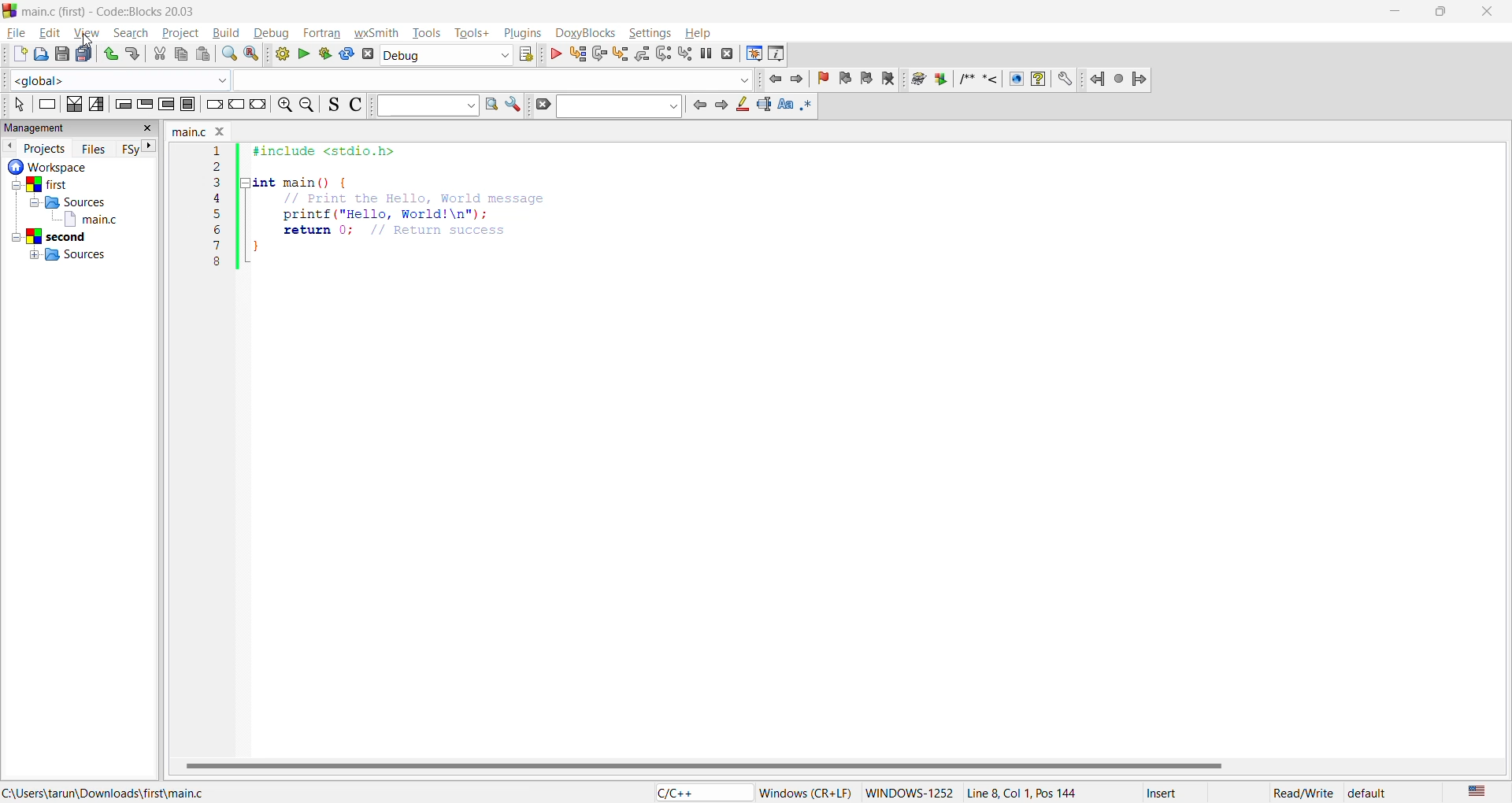 The image size is (1512, 803). Describe the element at coordinates (132, 55) in the screenshot. I see `redo` at that location.